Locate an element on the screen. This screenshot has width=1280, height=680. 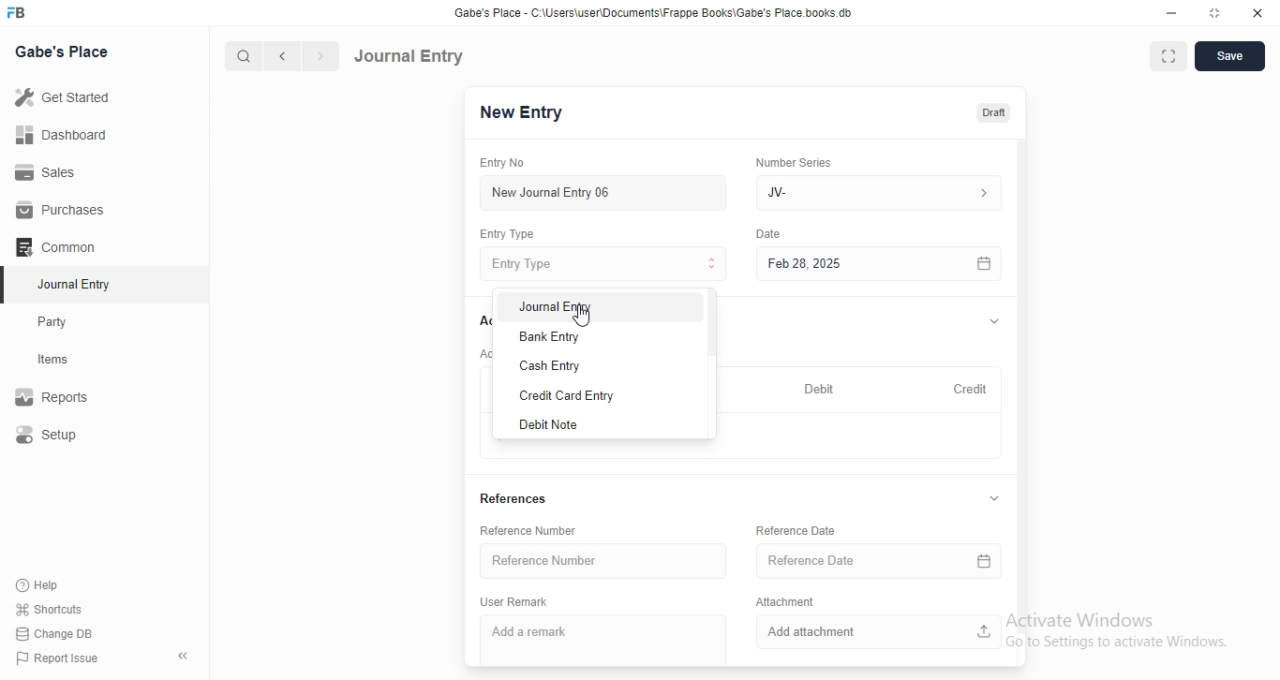
‘Help is located at coordinates (61, 585).